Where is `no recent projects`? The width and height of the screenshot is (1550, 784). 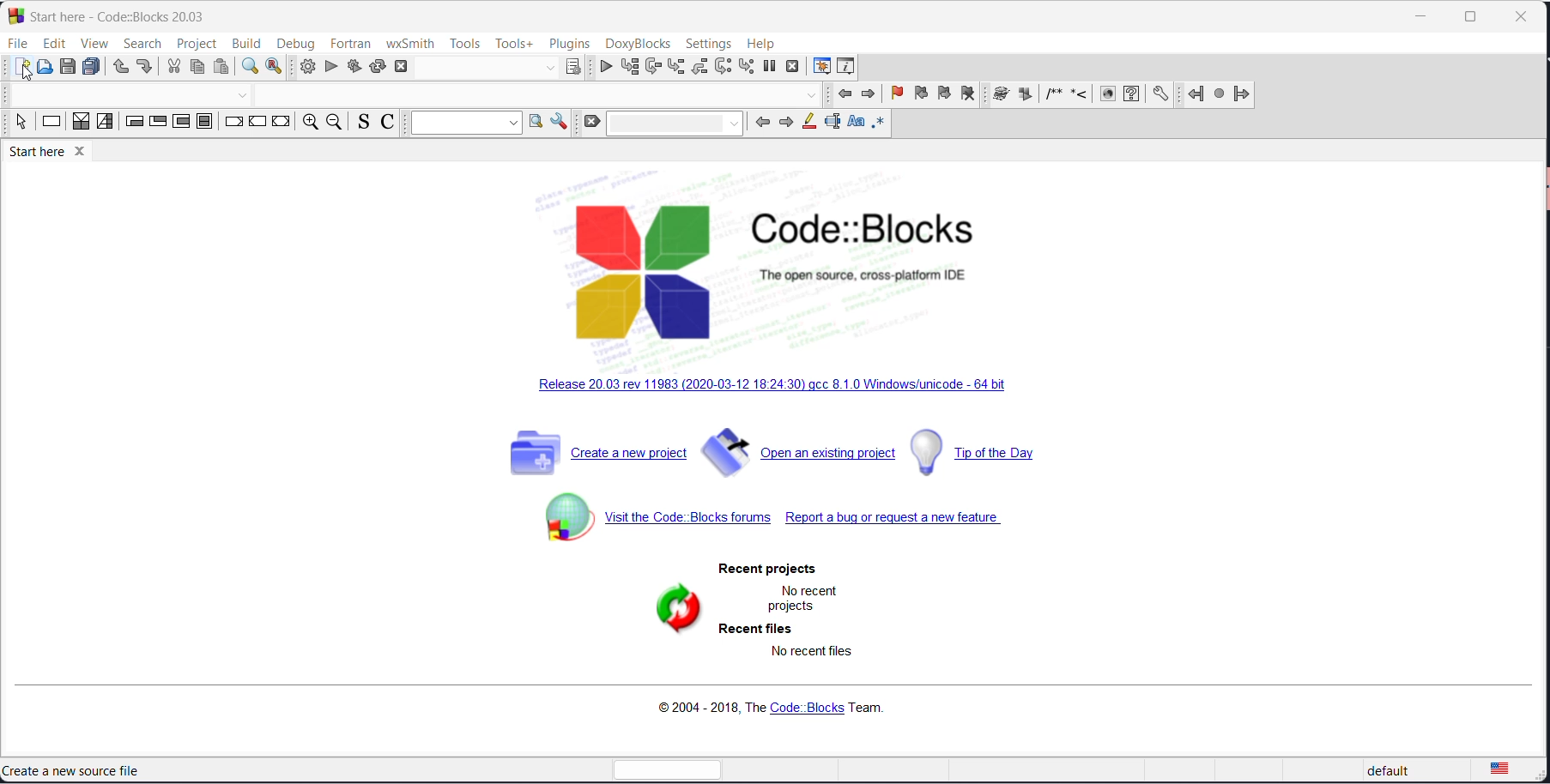
no recent projects is located at coordinates (806, 600).